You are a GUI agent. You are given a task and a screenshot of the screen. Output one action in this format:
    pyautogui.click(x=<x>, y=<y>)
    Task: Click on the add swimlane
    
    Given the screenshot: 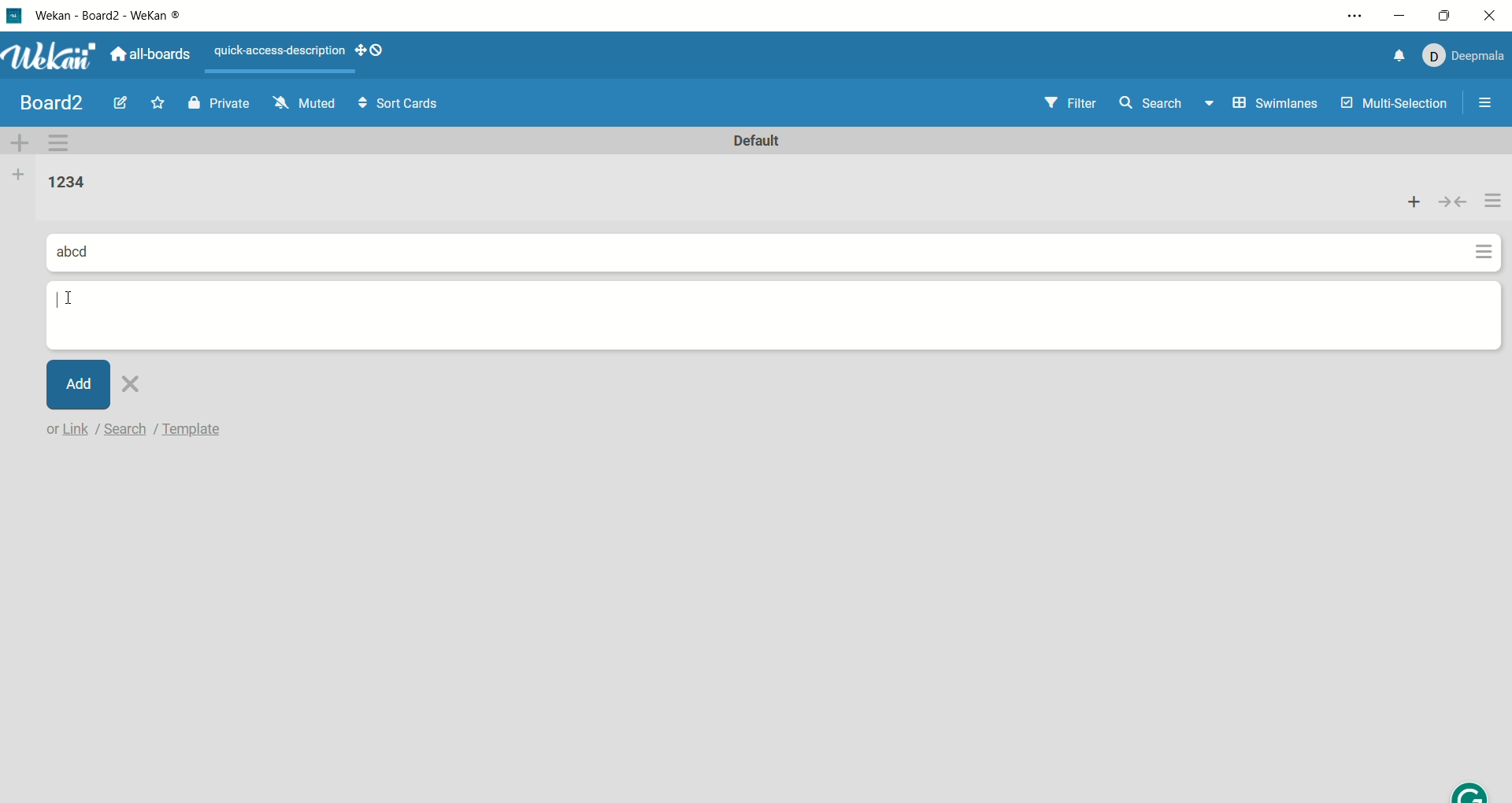 What is the action you would take?
    pyautogui.click(x=20, y=139)
    